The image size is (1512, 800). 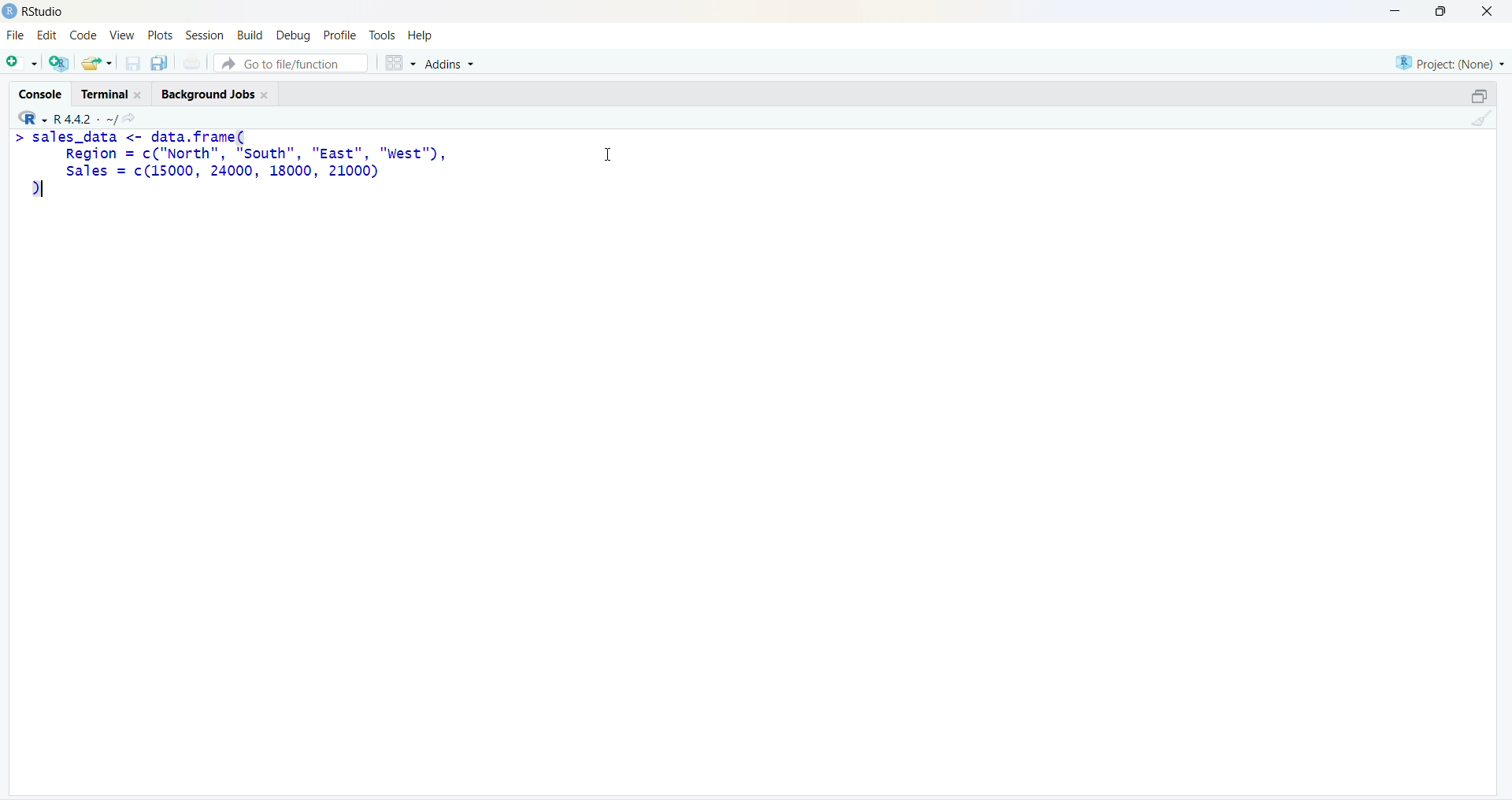 What do you see at coordinates (16, 36) in the screenshot?
I see `File` at bounding box center [16, 36].